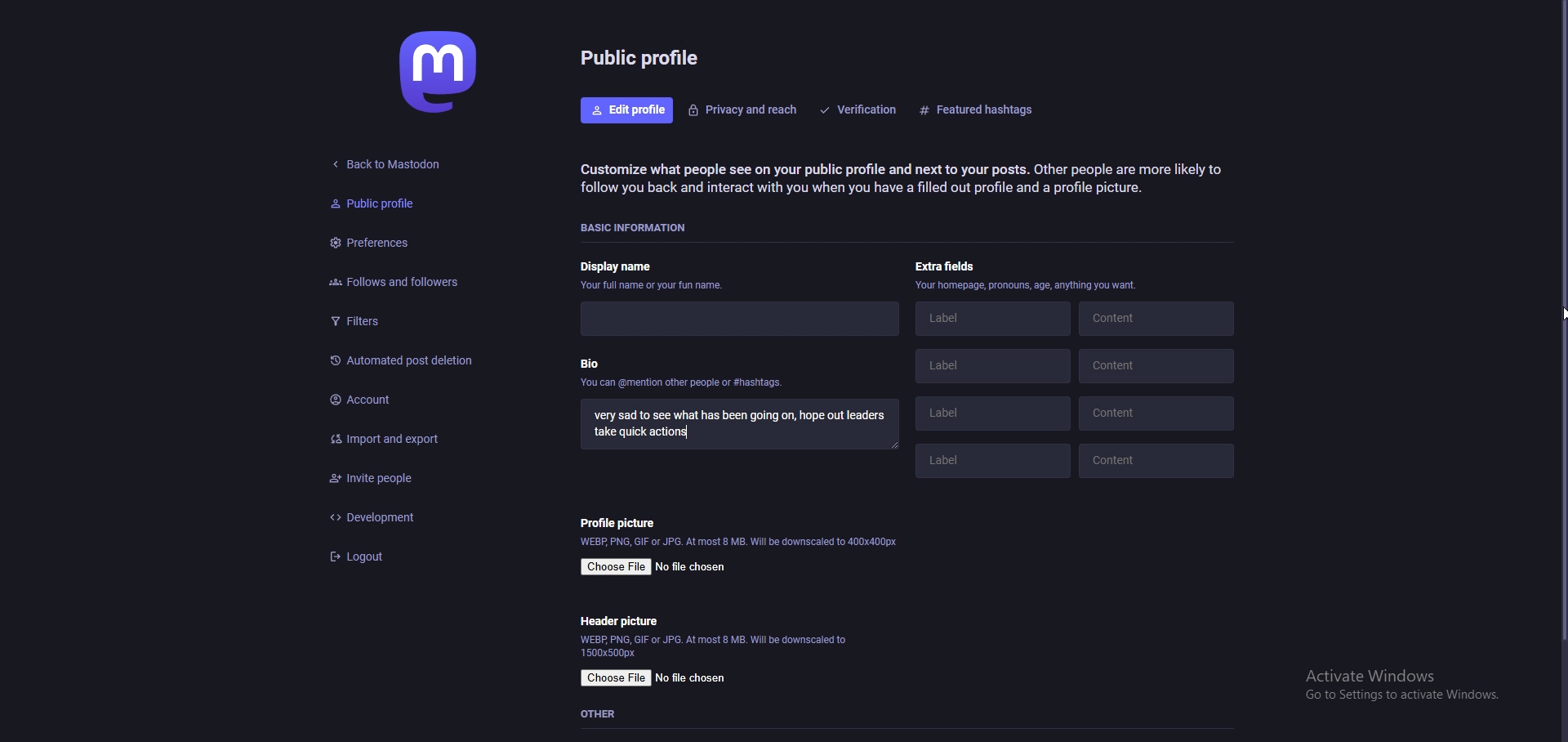  What do you see at coordinates (737, 320) in the screenshot?
I see `display name input` at bounding box center [737, 320].